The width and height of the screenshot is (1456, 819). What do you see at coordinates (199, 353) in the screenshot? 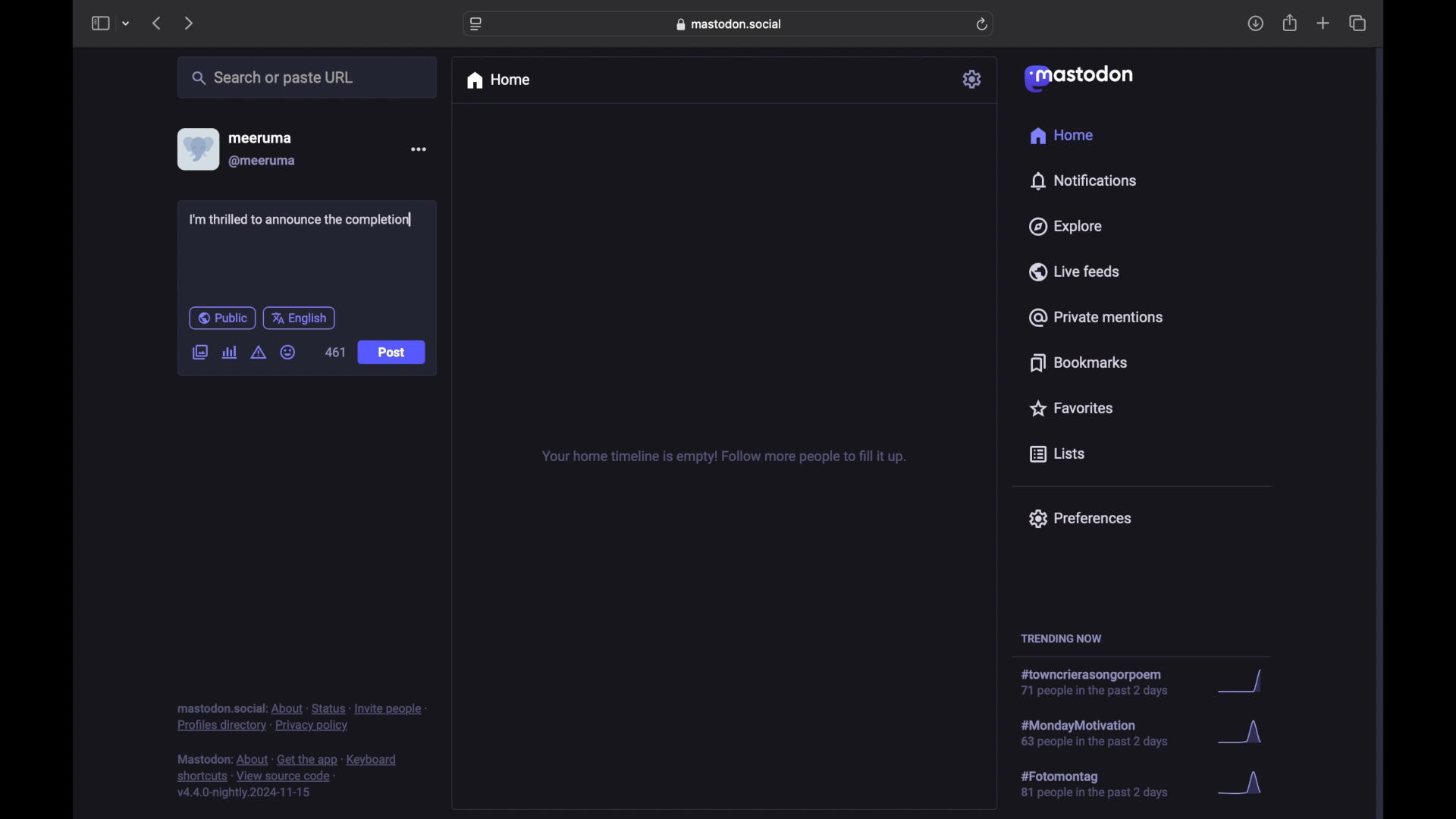
I see `add image` at bounding box center [199, 353].